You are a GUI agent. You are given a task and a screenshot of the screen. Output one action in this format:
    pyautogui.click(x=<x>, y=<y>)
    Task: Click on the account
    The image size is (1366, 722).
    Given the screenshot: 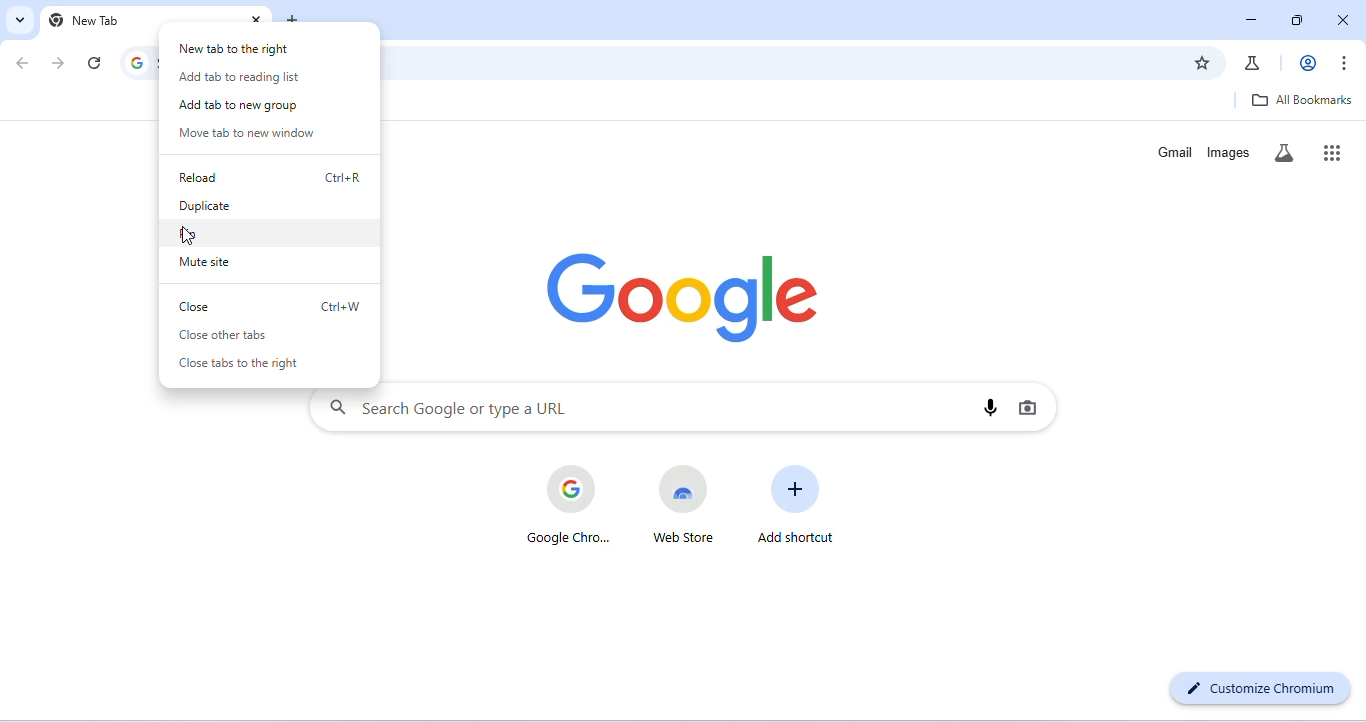 What is the action you would take?
    pyautogui.click(x=1305, y=63)
    